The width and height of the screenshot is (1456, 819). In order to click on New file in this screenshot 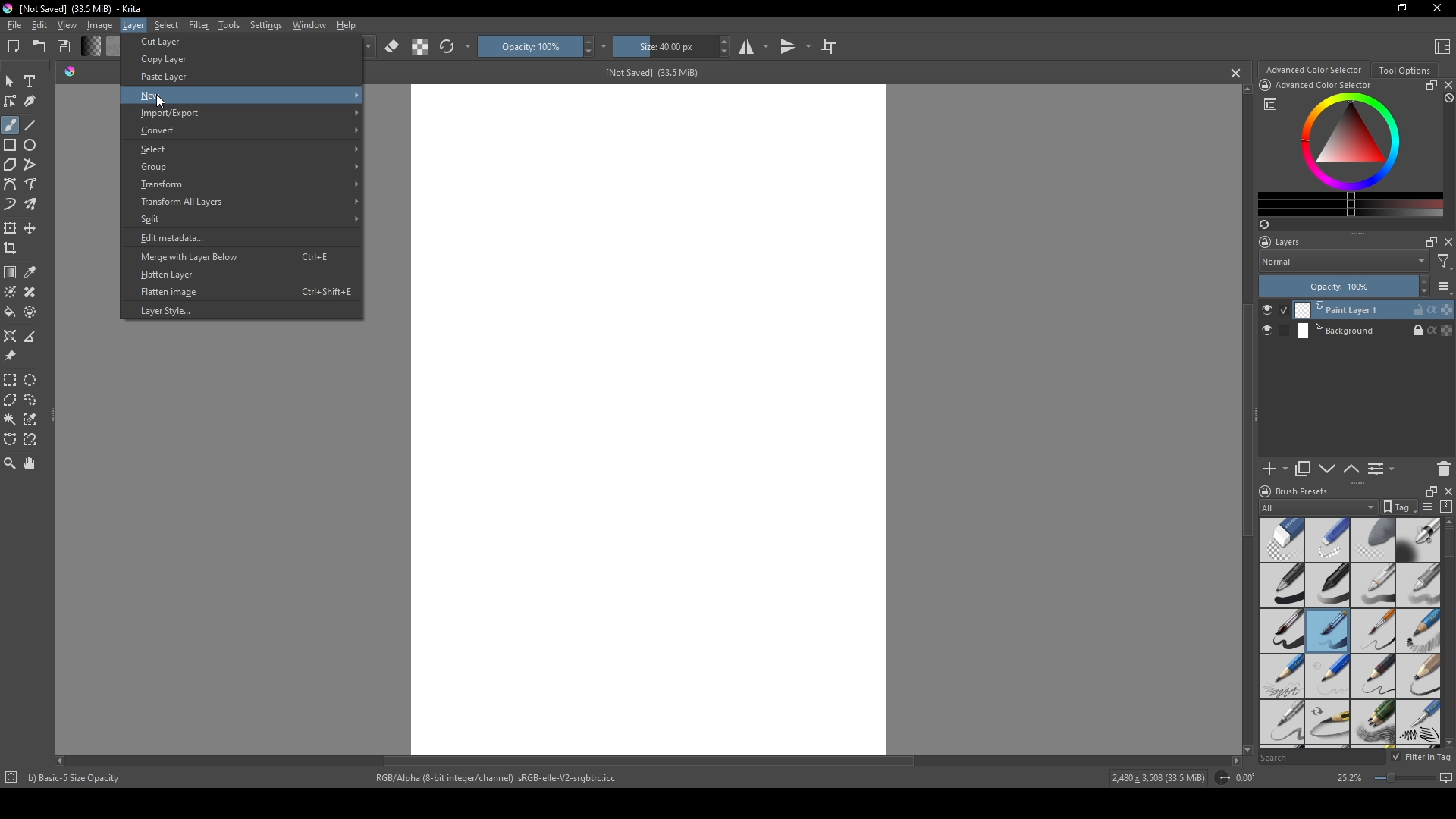, I will do `click(11, 48)`.